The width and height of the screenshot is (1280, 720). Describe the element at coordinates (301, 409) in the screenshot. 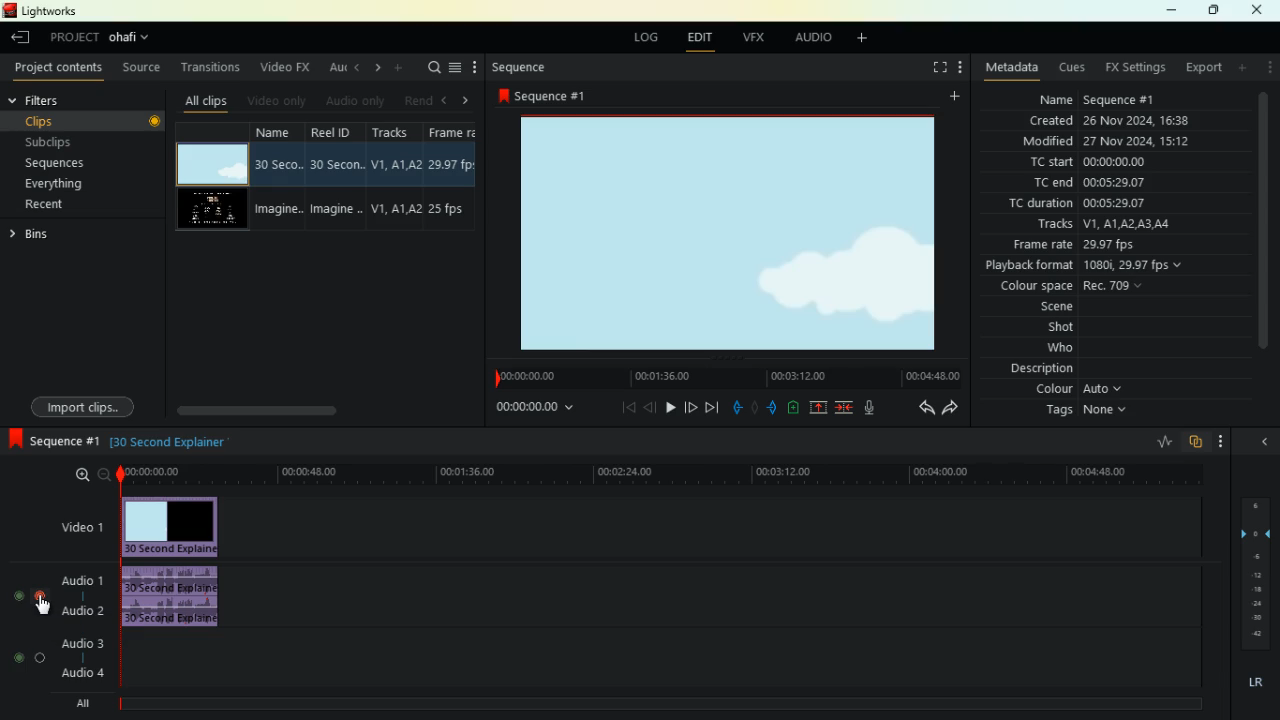

I see `scroll bar` at that location.